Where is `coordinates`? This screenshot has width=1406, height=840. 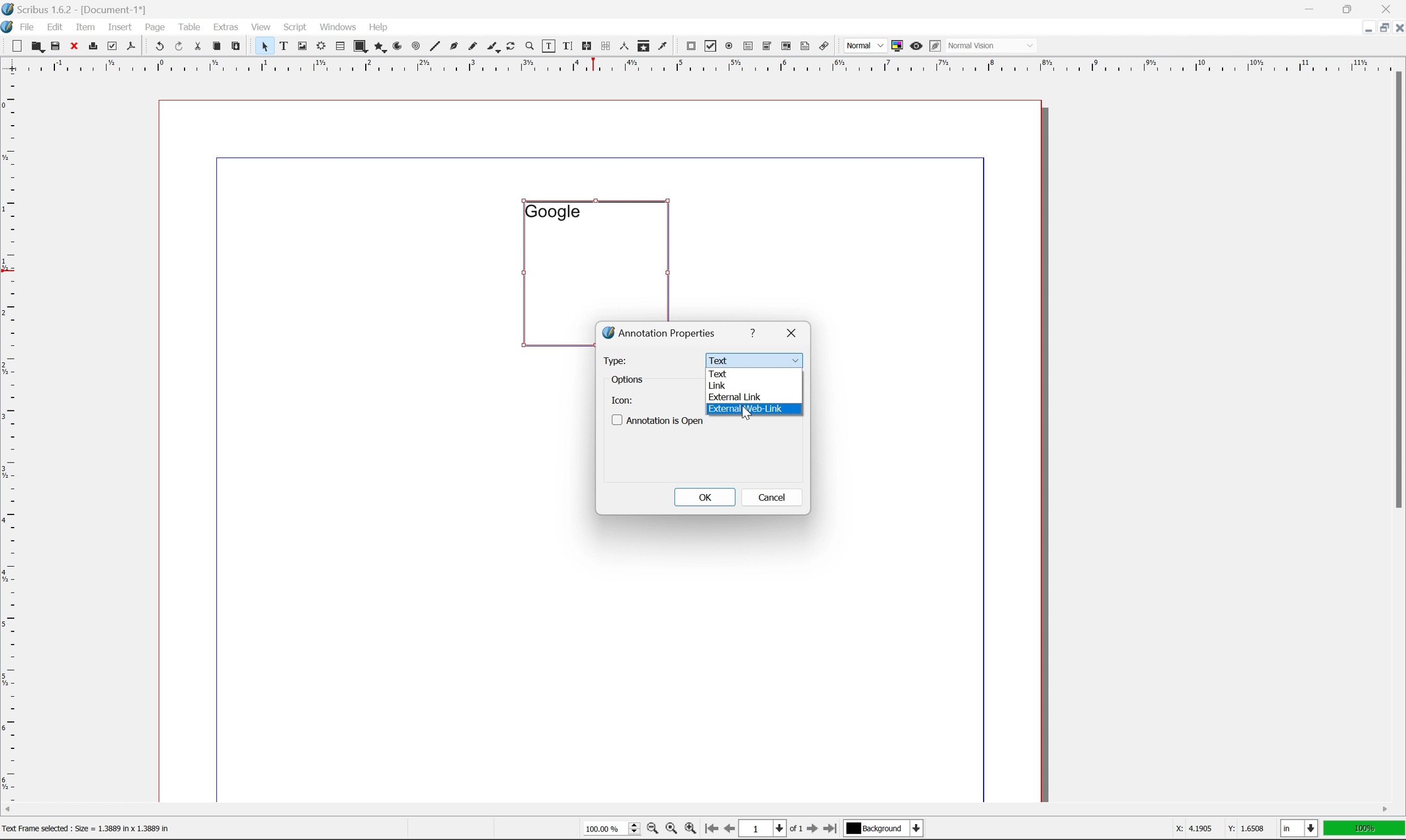
coordinates is located at coordinates (1212, 829).